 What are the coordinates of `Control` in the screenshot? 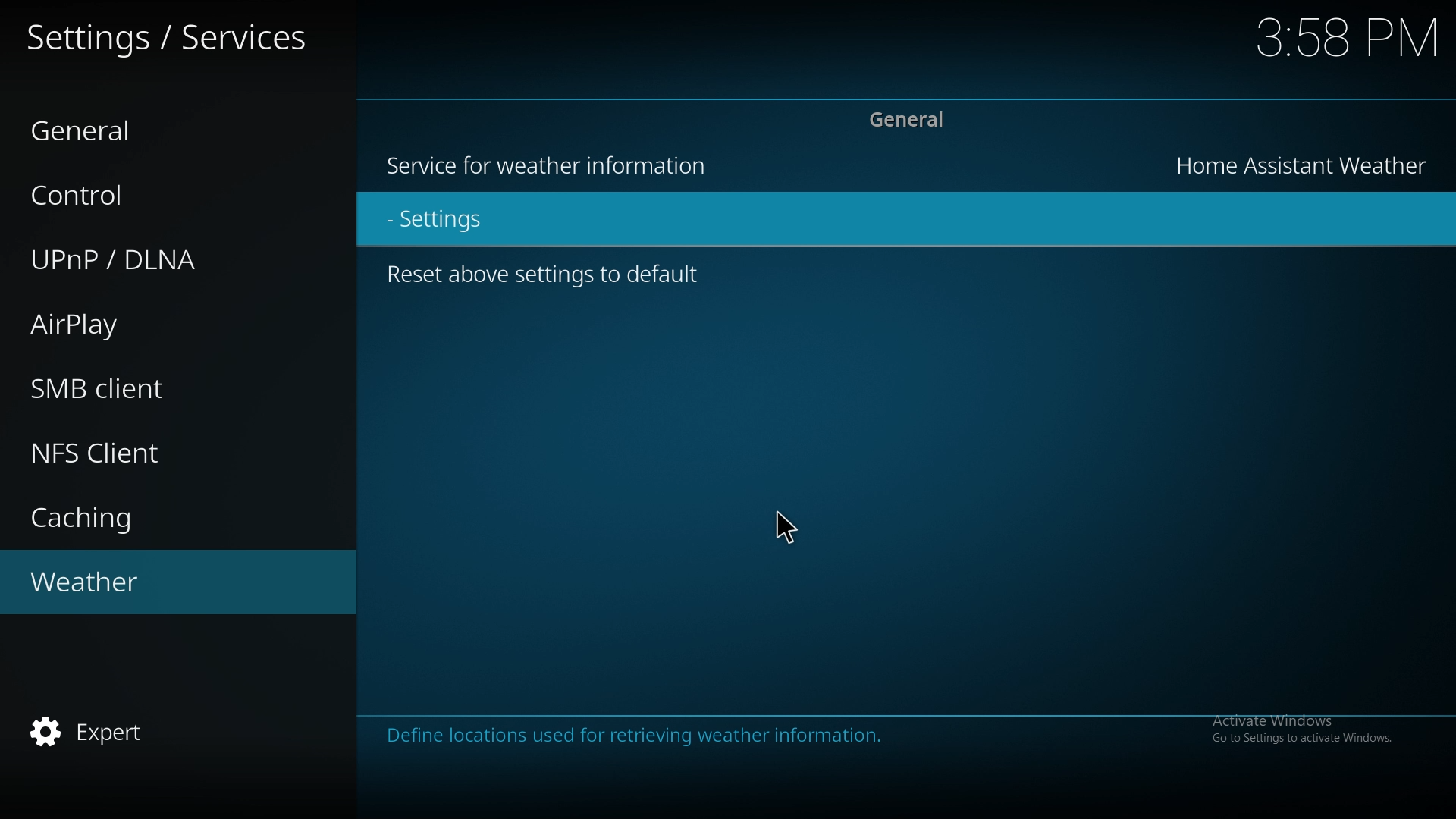 It's located at (143, 192).